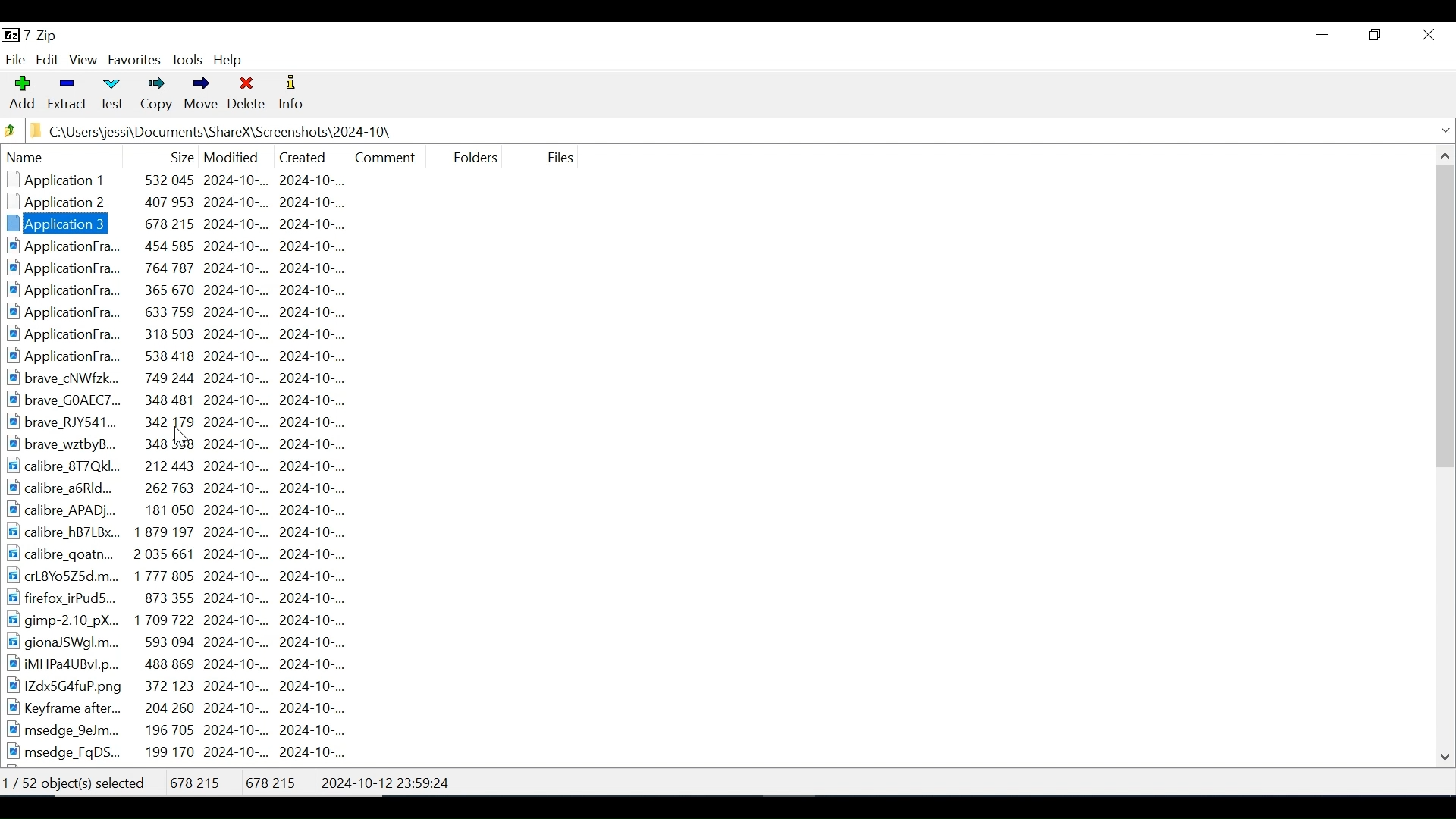 The width and height of the screenshot is (1456, 819). What do you see at coordinates (292, 95) in the screenshot?
I see `Information` at bounding box center [292, 95].